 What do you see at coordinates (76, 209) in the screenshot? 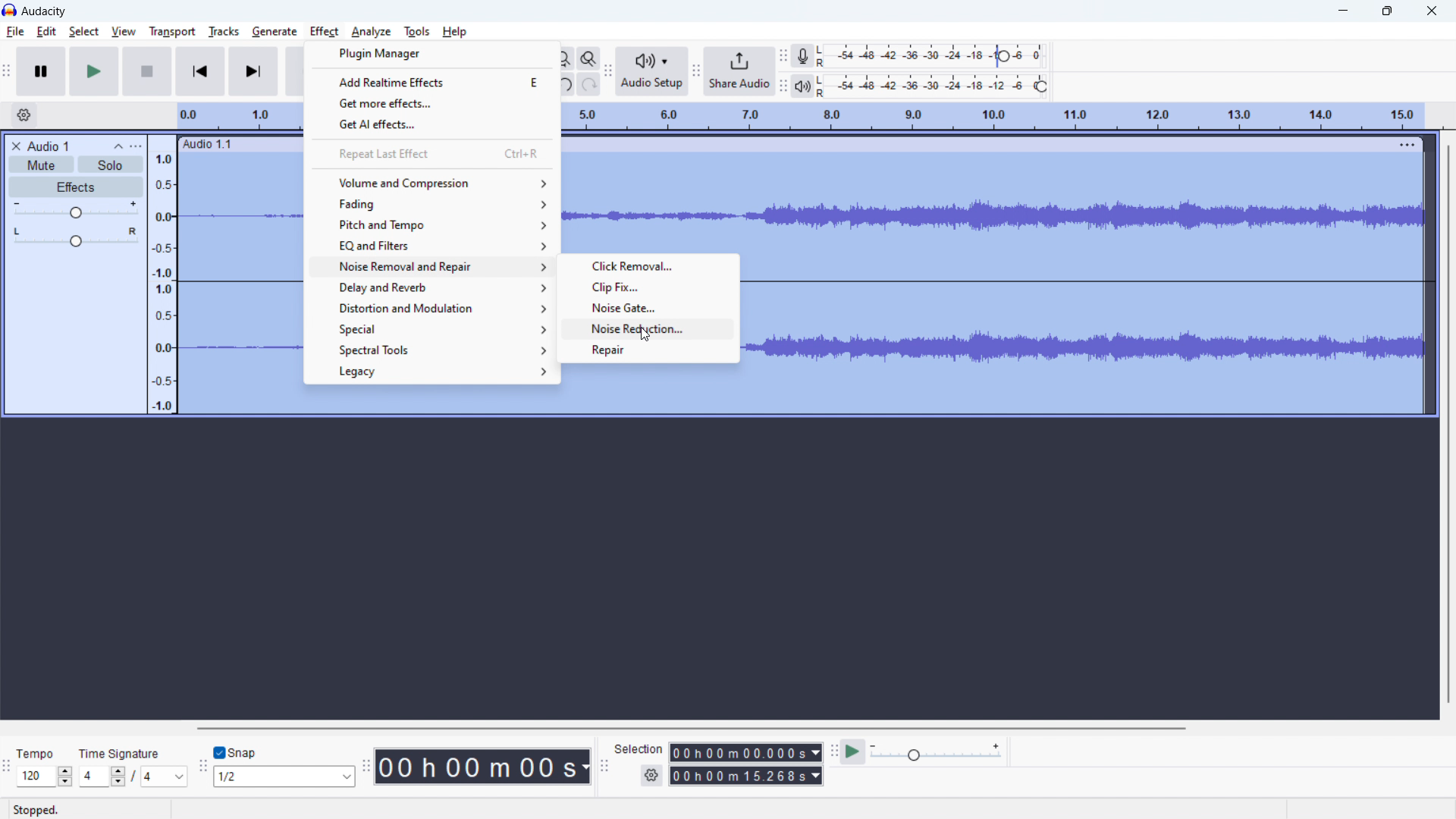
I see `volume` at bounding box center [76, 209].